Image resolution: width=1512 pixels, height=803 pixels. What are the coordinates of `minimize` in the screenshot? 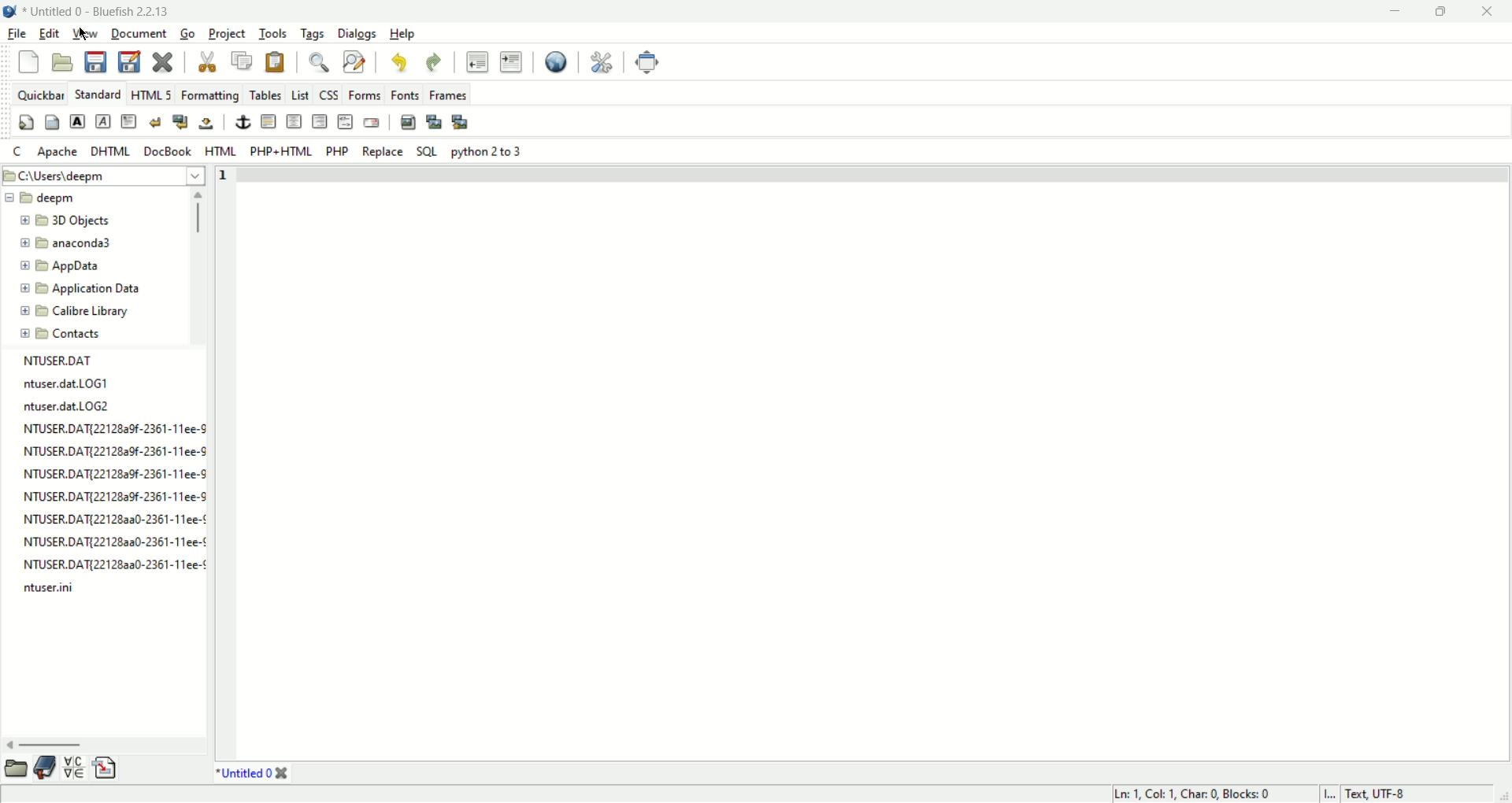 It's located at (1393, 12).